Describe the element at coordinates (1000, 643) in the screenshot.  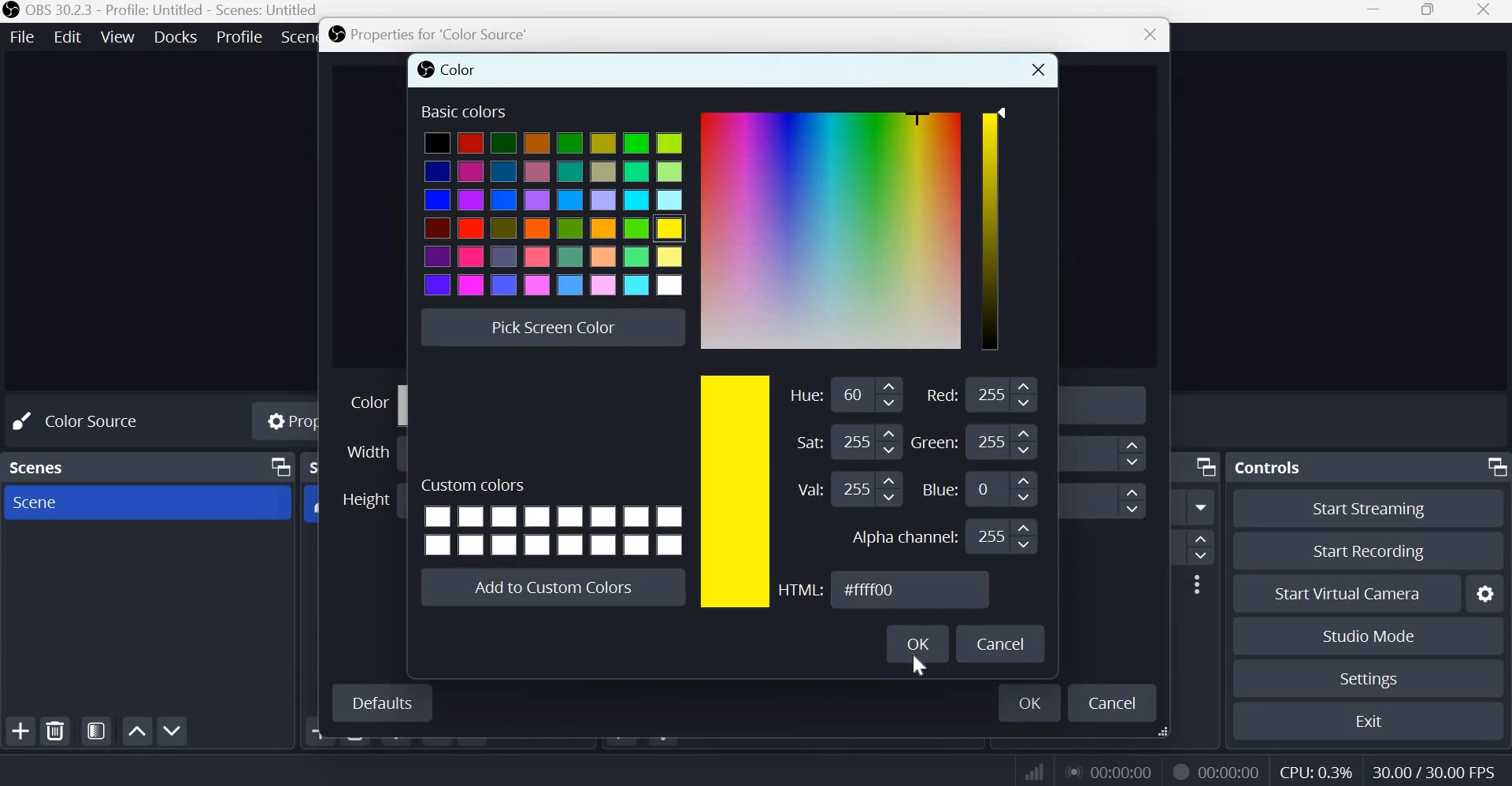
I see `Cancel` at that location.